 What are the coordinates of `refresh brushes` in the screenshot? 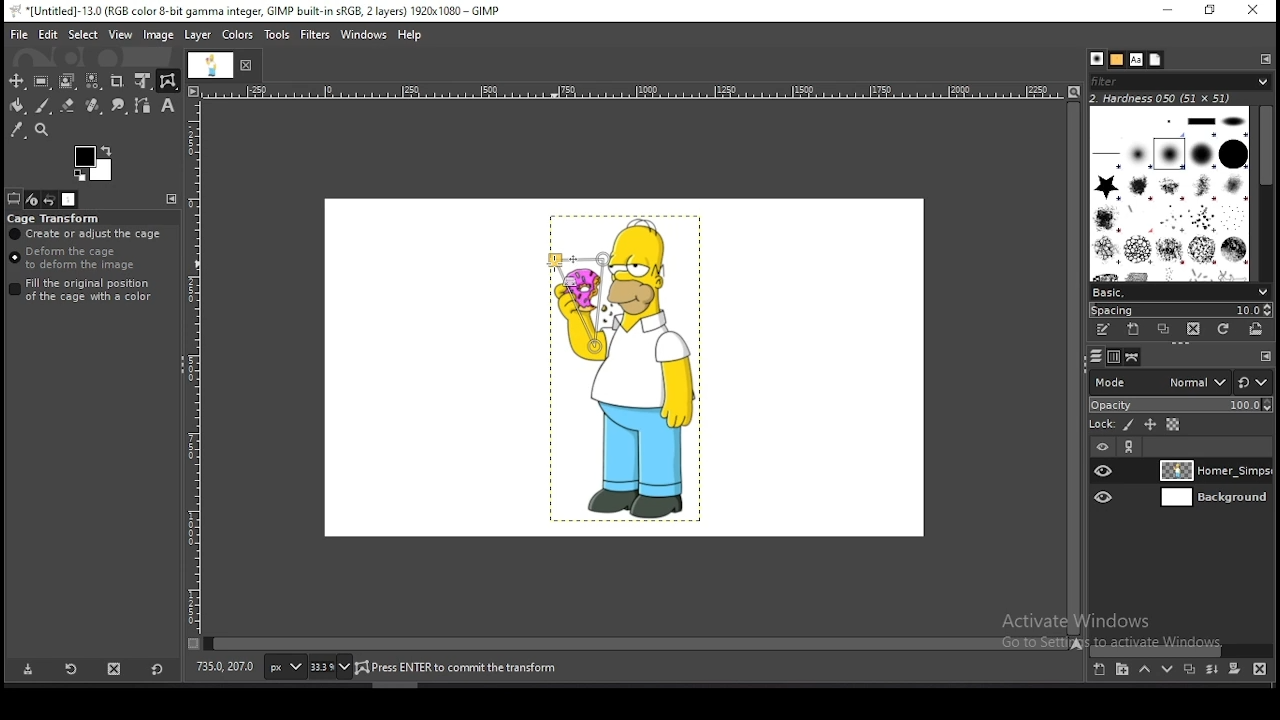 It's located at (1224, 329).